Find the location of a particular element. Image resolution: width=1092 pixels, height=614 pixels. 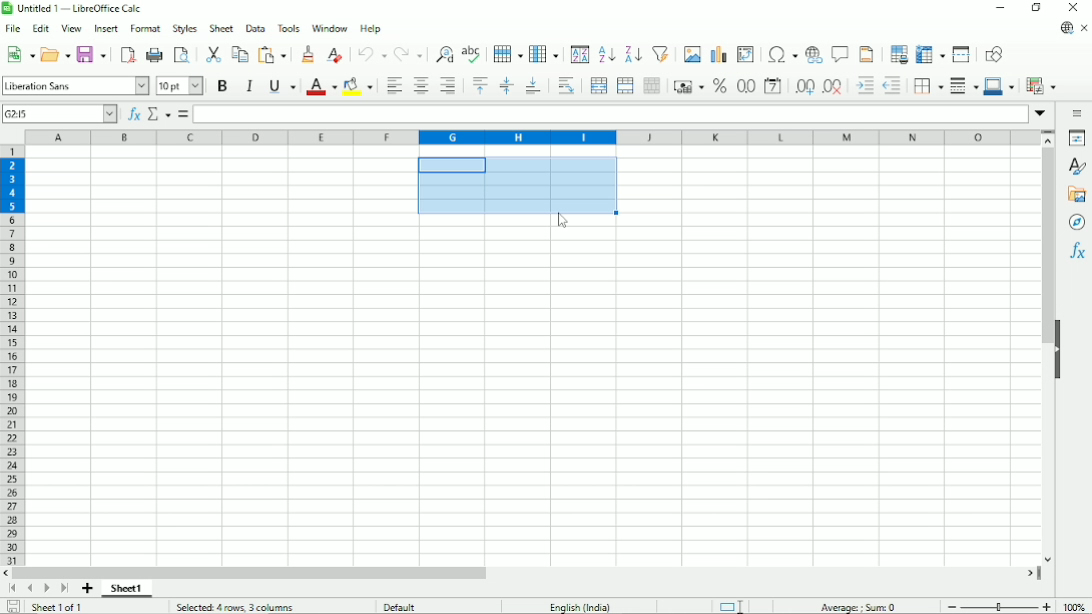

undo is located at coordinates (370, 54).